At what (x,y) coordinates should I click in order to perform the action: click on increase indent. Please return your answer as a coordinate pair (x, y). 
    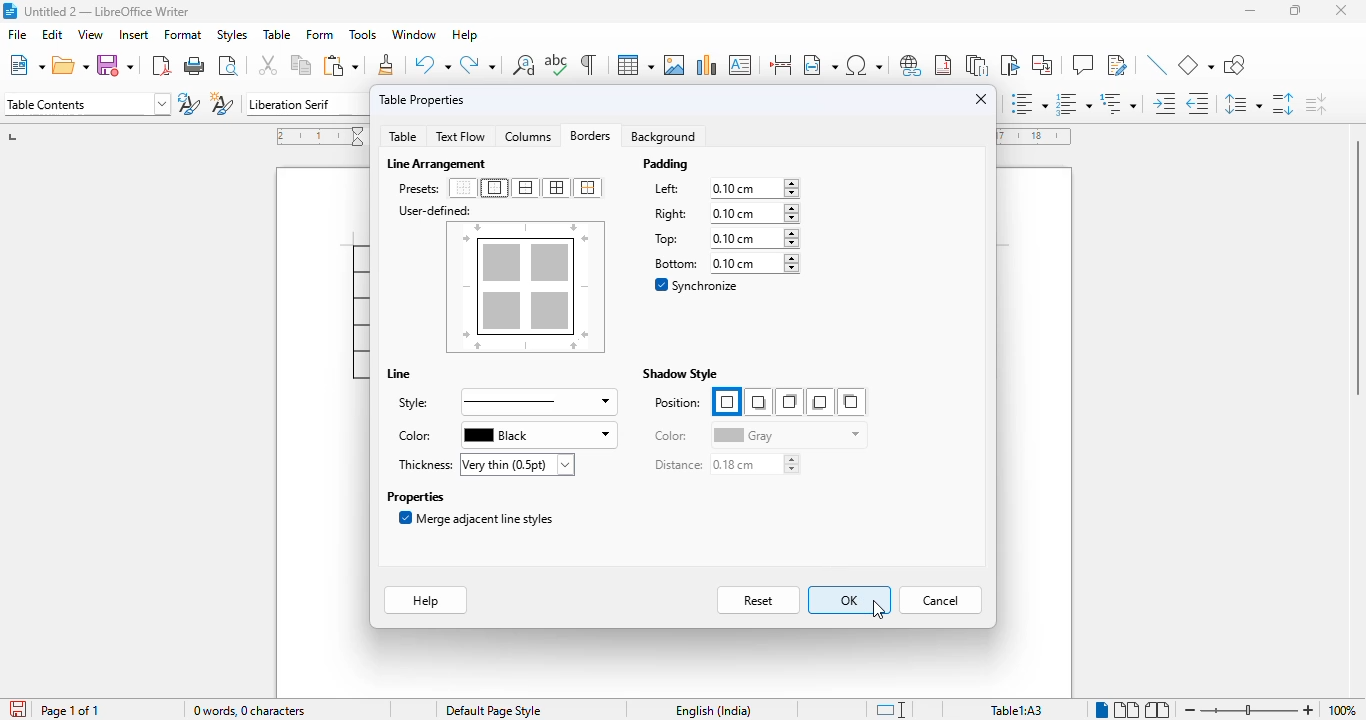
    Looking at the image, I should click on (1166, 103).